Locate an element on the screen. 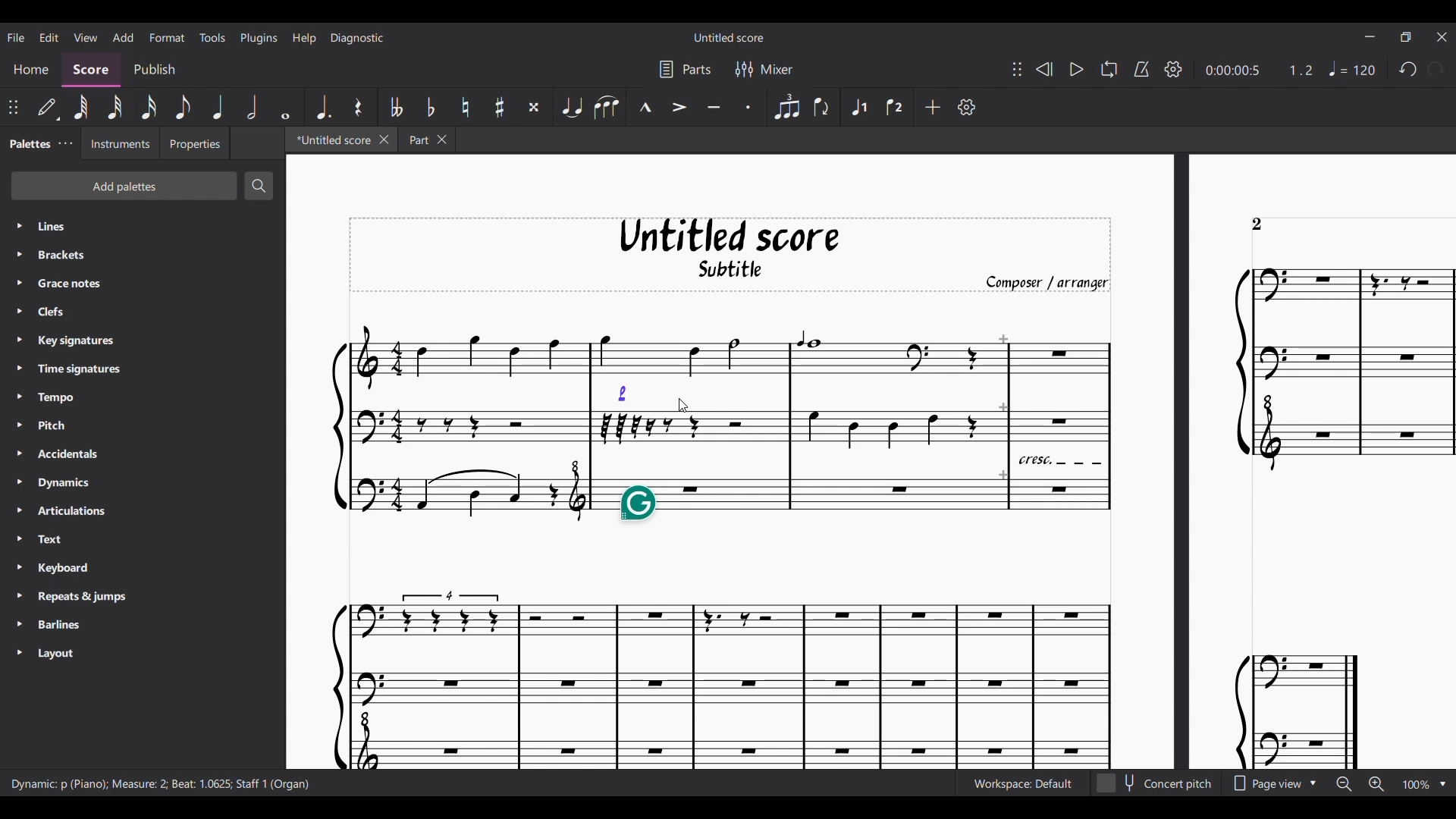  Rest is located at coordinates (359, 107).